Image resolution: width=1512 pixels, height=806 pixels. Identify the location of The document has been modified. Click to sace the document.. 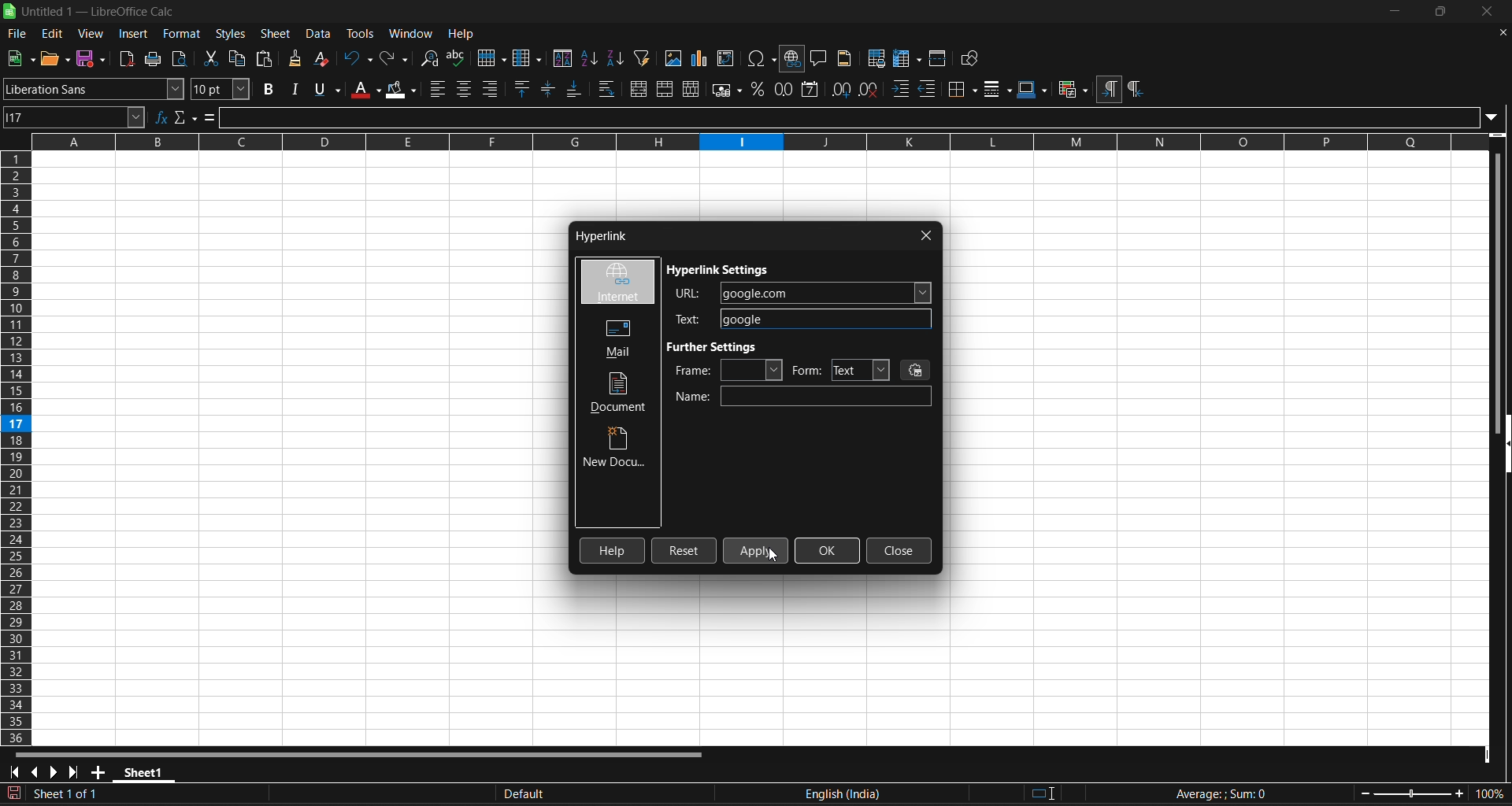
(250, 795).